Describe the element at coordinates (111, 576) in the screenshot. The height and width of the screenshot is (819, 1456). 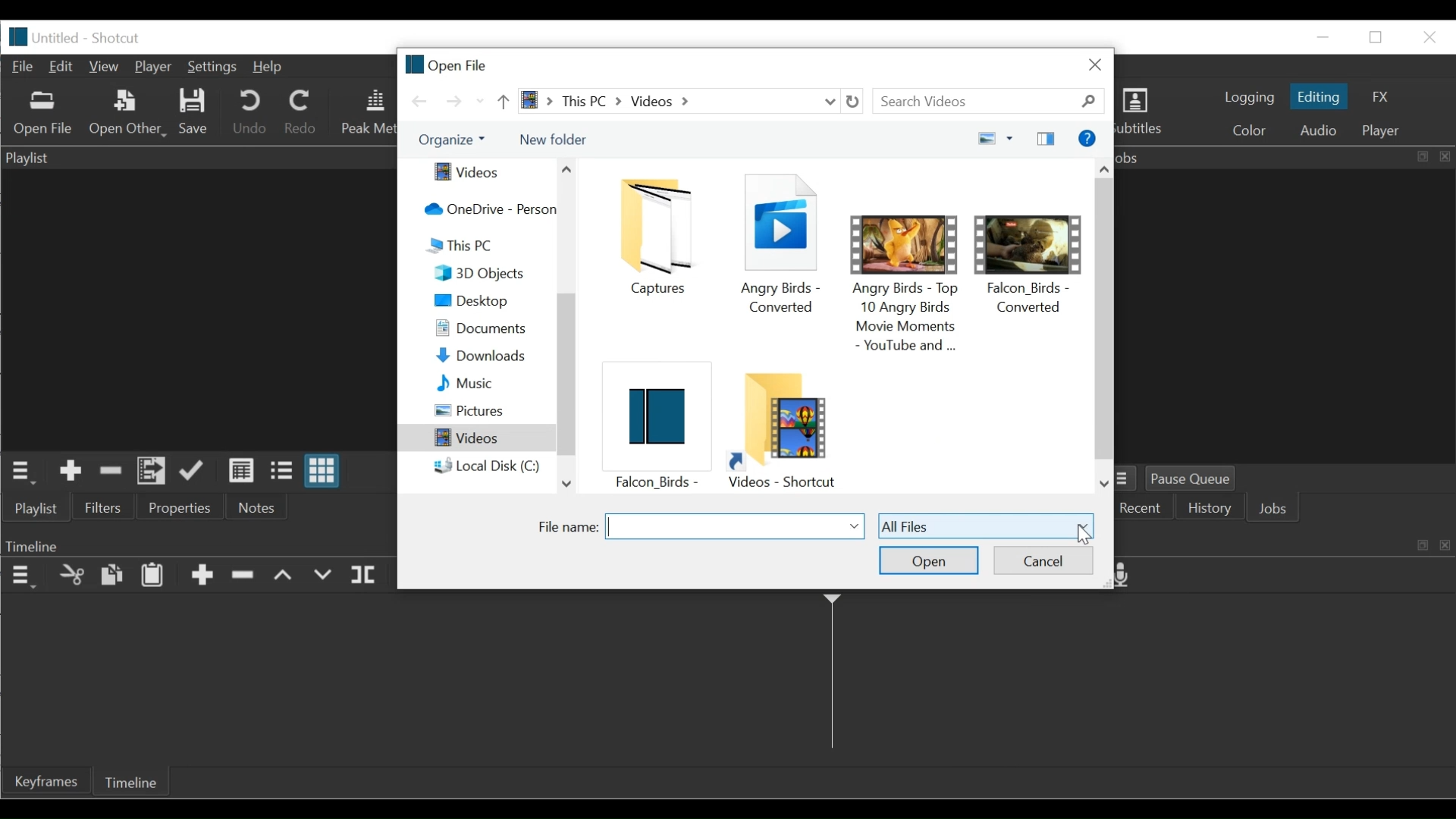
I see `Copy` at that location.